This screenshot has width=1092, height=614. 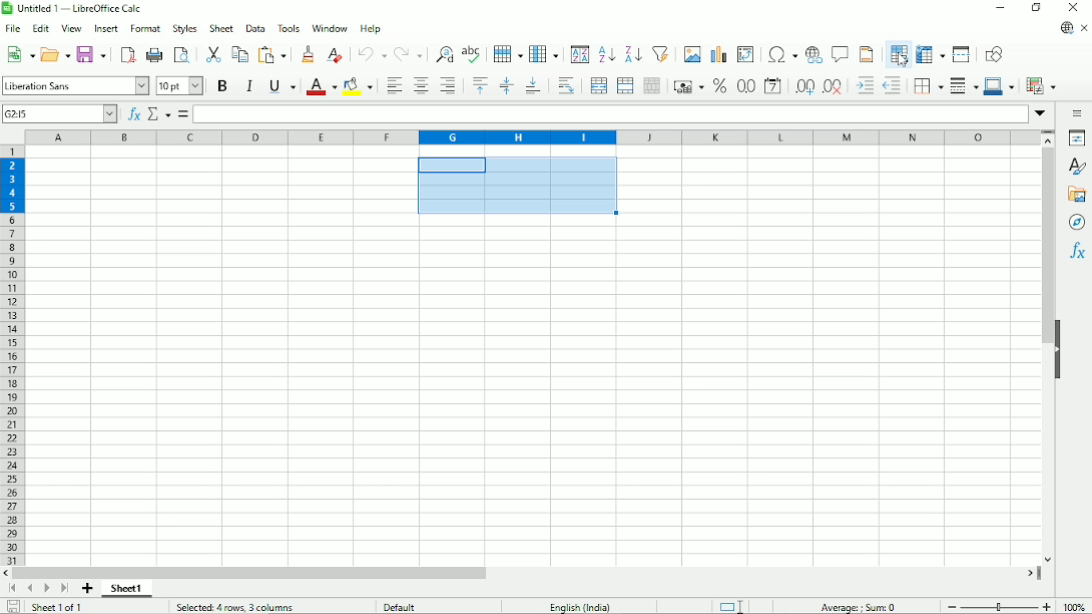 What do you see at coordinates (1042, 85) in the screenshot?
I see `Conditional` at bounding box center [1042, 85].